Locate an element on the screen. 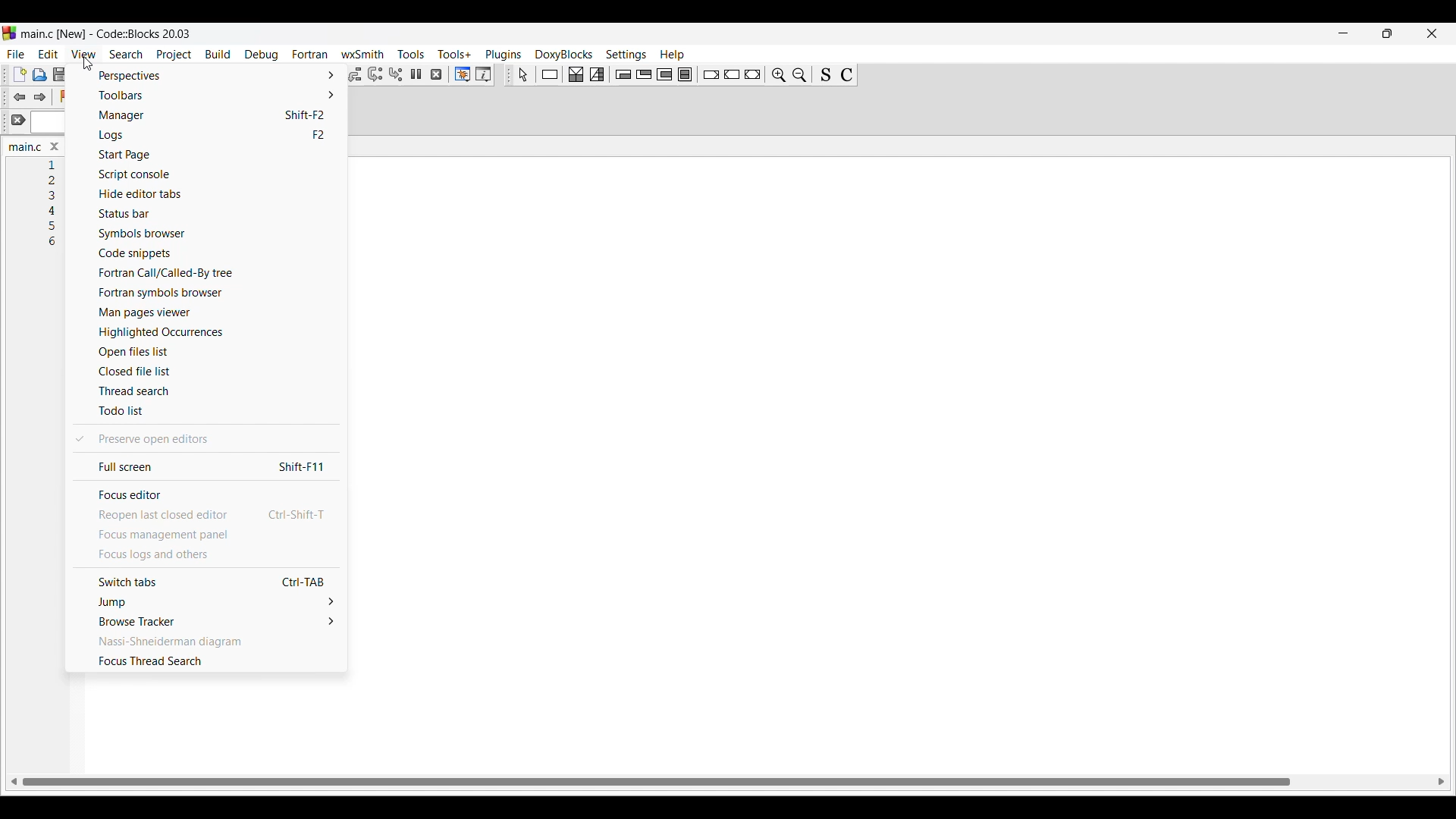 The width and height of the screenshot is (1456, 819). Fortran symbols browser is located at coordinates (211, 293).